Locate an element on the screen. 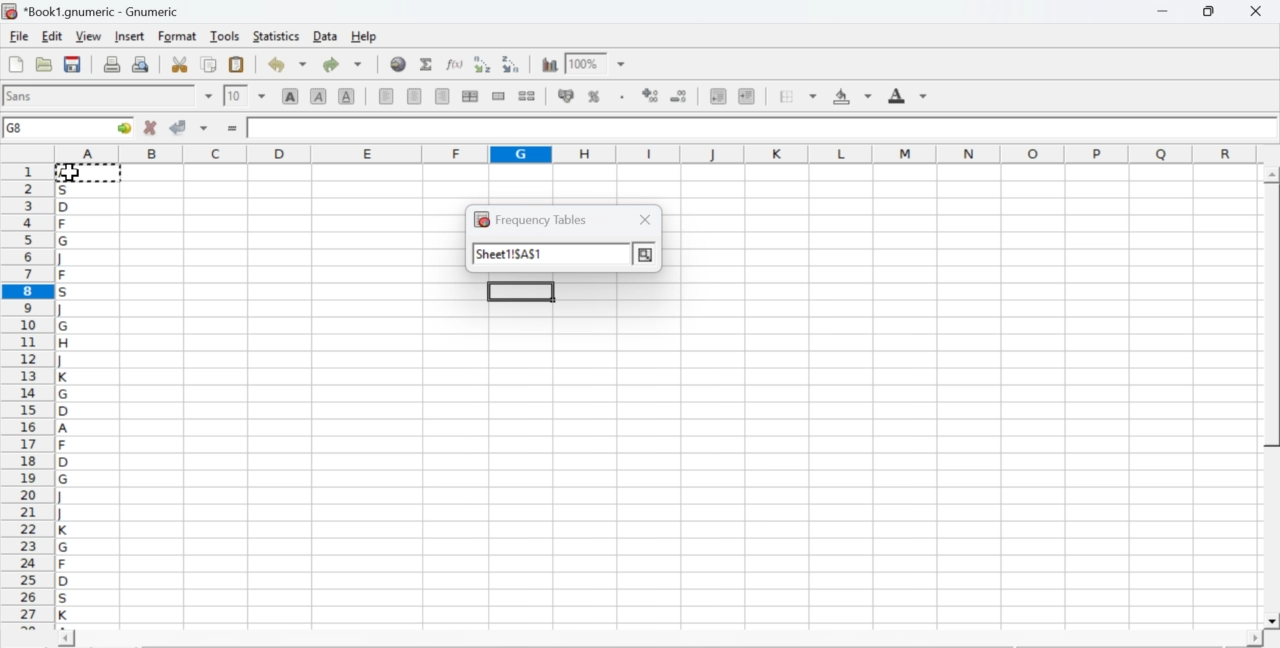 Image resolution: width=1280 pixels, height=648 pixels. decrease number of decimals displayed is located at coordinates (678, 97).